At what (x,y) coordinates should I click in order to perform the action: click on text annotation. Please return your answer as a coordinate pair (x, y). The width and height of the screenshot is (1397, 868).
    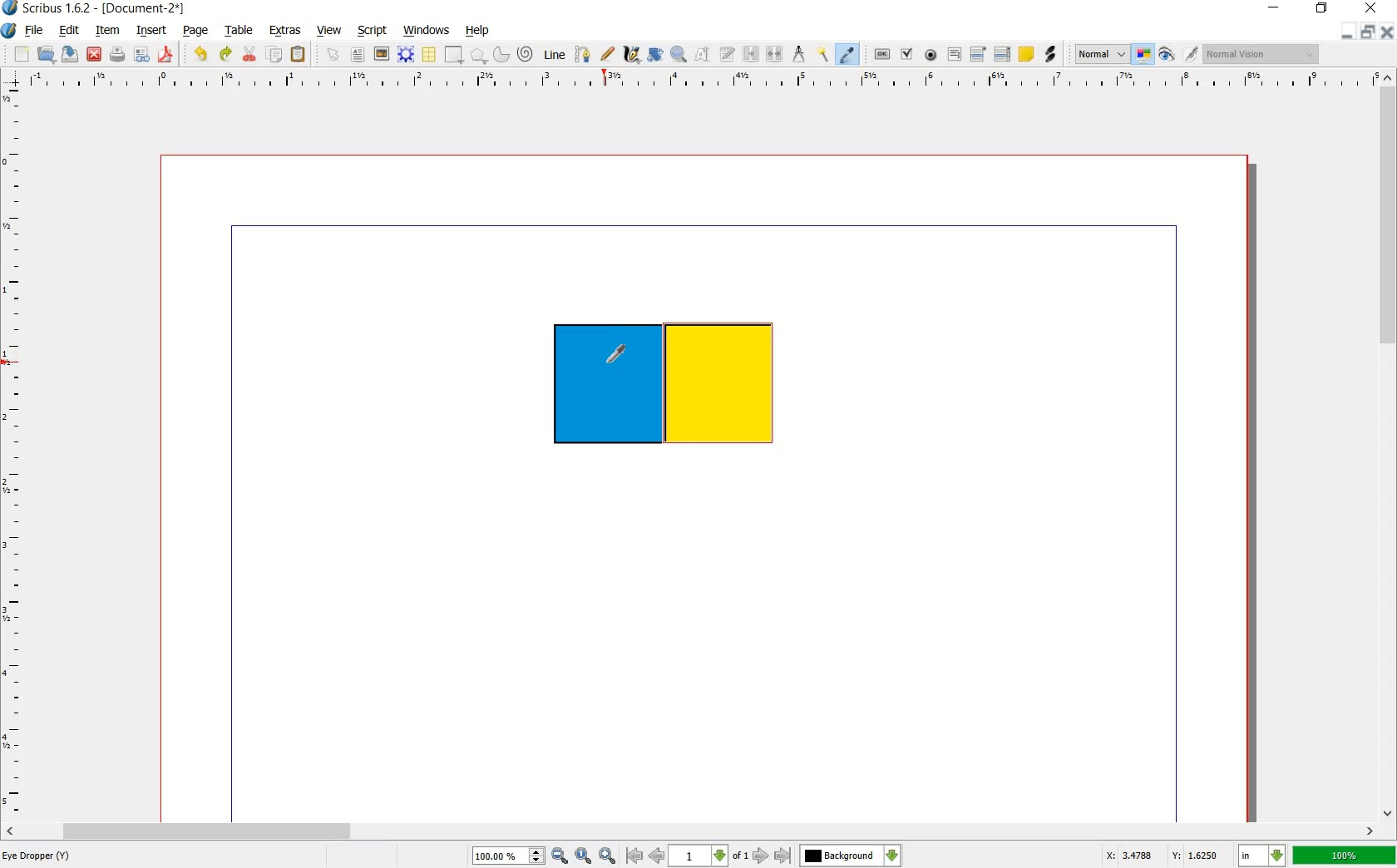
    Looking at the image, I should click on (1028, 55).